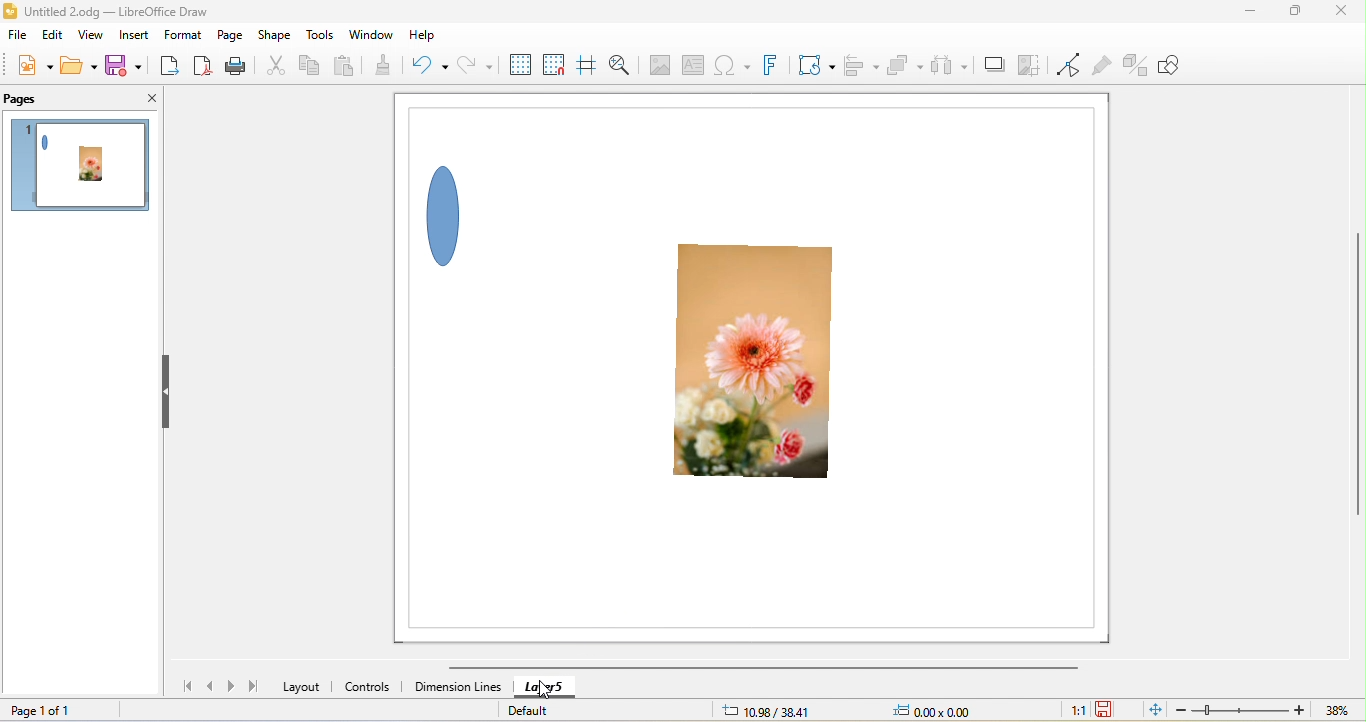  I want to click on transformation, so click(817, 65).